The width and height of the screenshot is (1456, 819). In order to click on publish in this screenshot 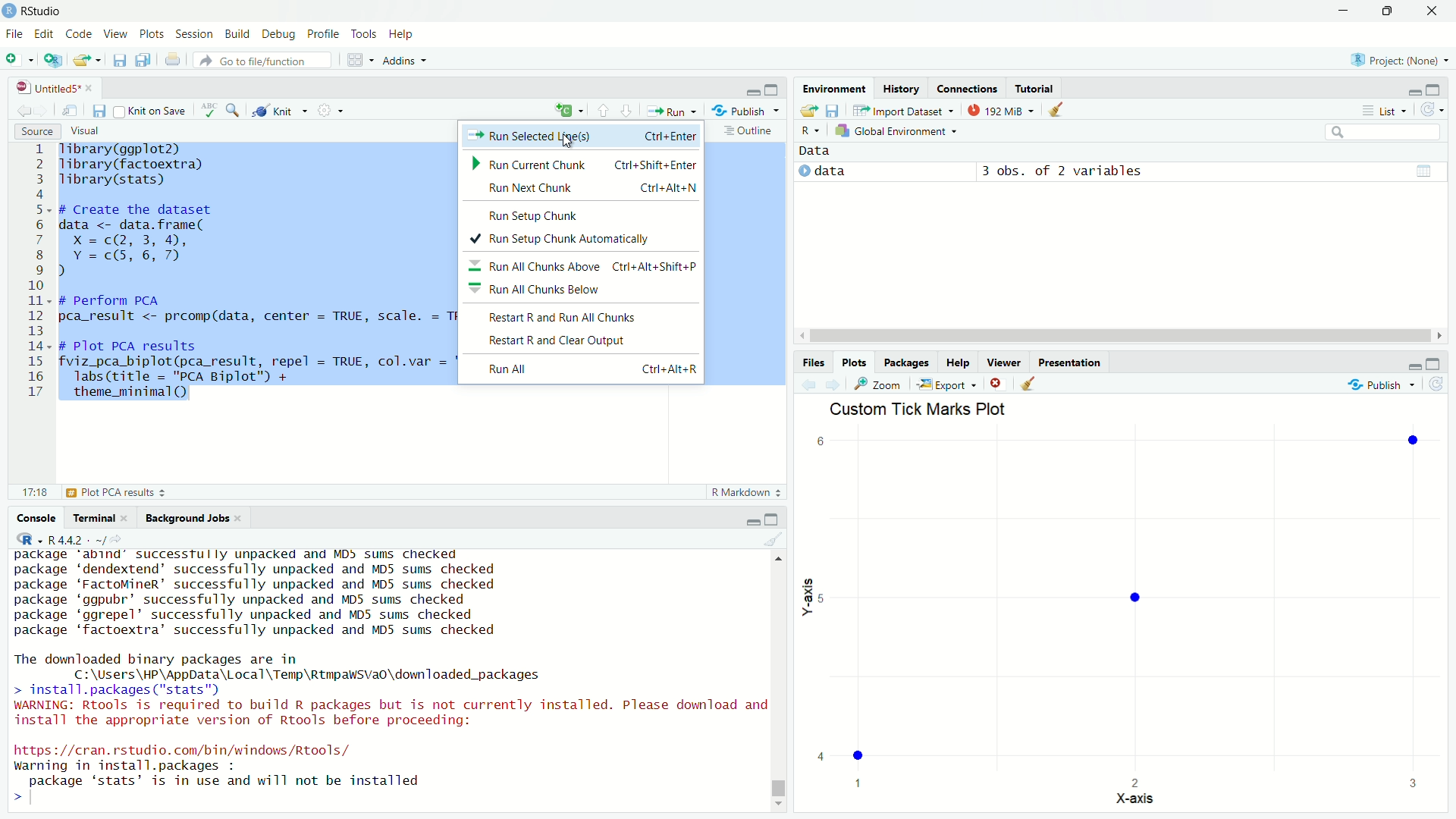, I will do `click(1382, 382)`.